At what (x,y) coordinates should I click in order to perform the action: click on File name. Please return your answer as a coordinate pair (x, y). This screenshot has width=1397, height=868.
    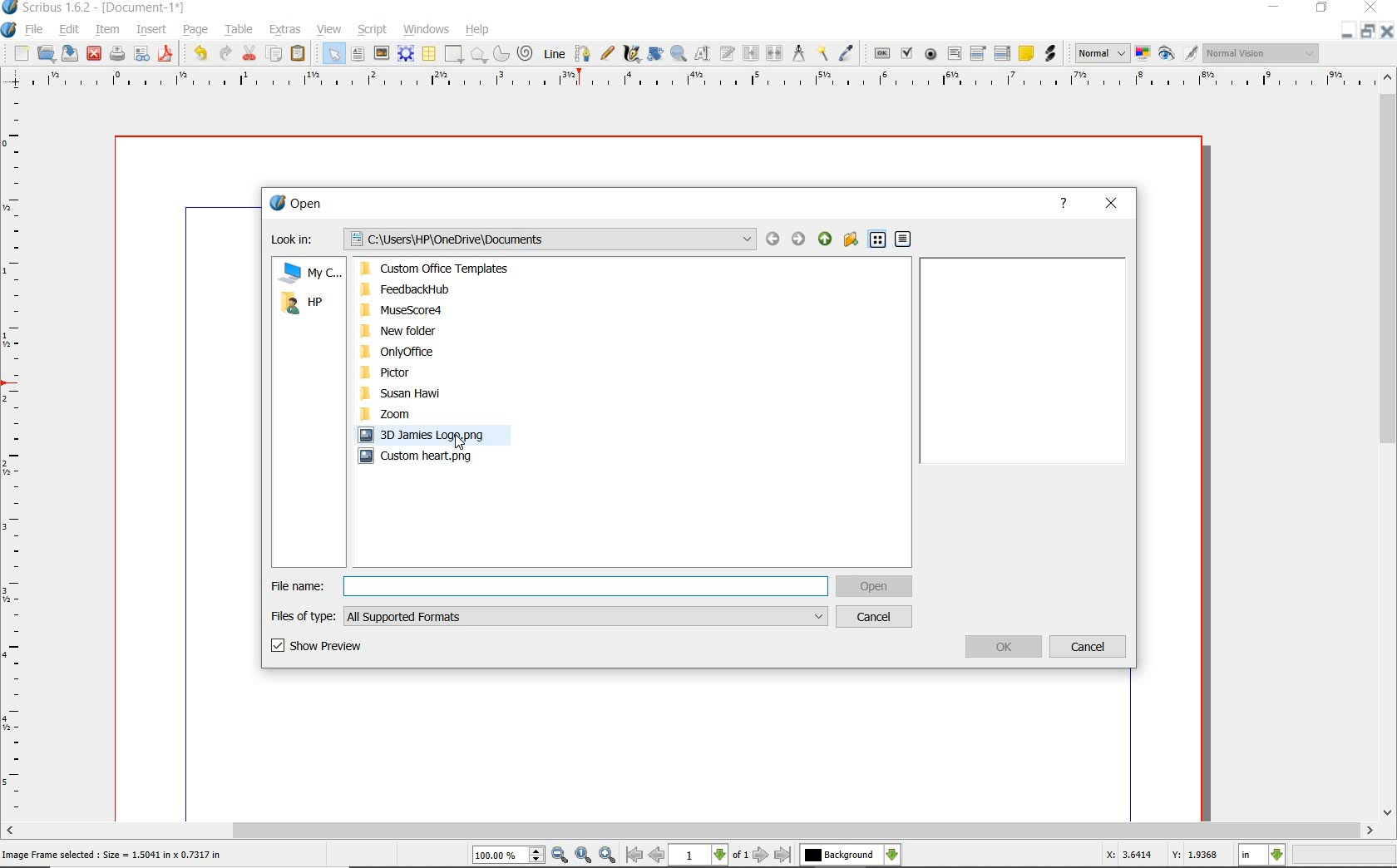
    Looking at the image, I should click on (549, 586).